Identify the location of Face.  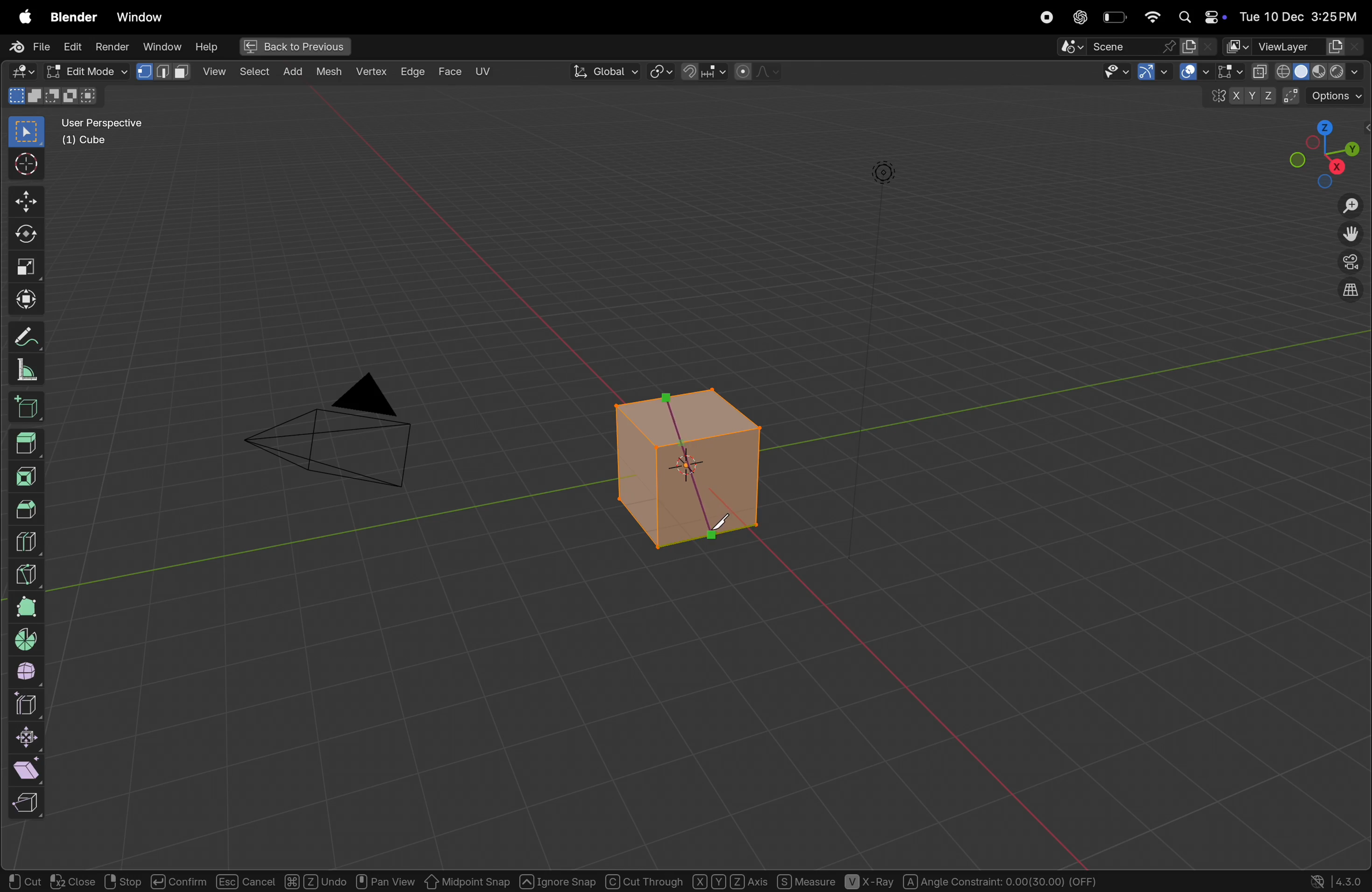
(451, 71).